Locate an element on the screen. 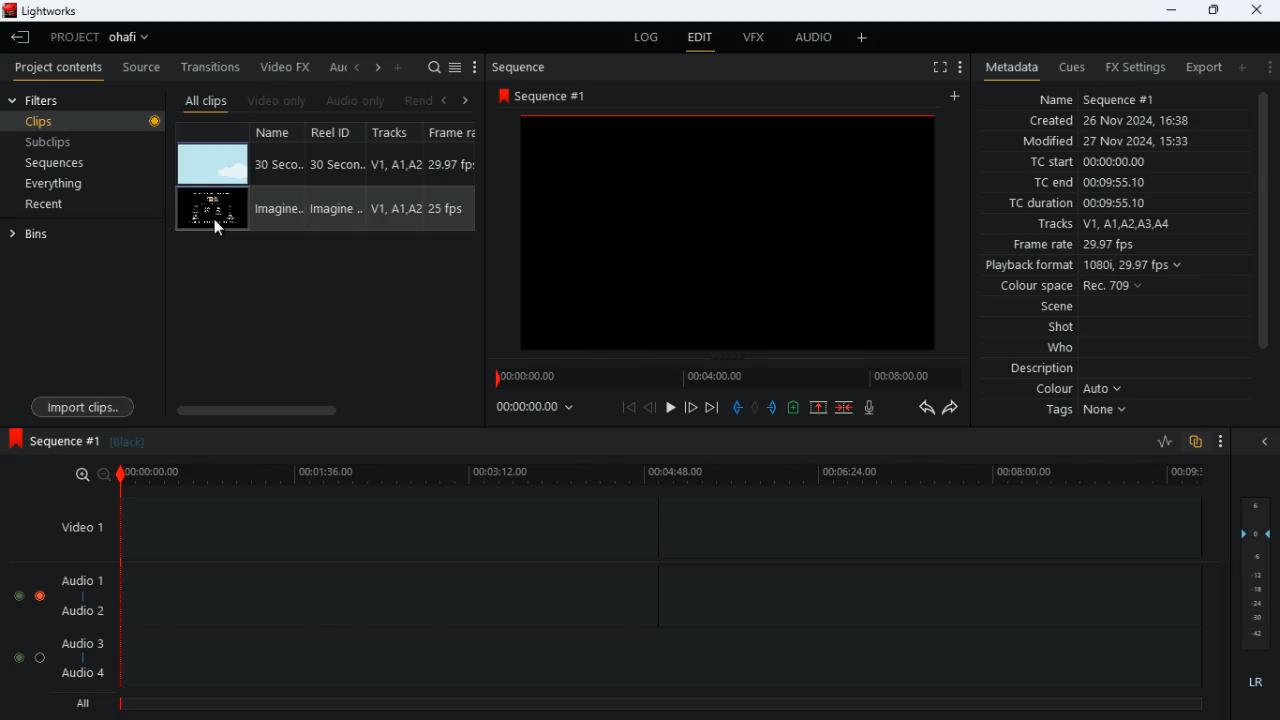 The image size is (1280, 720). audio is located at coordinates (814, 40).